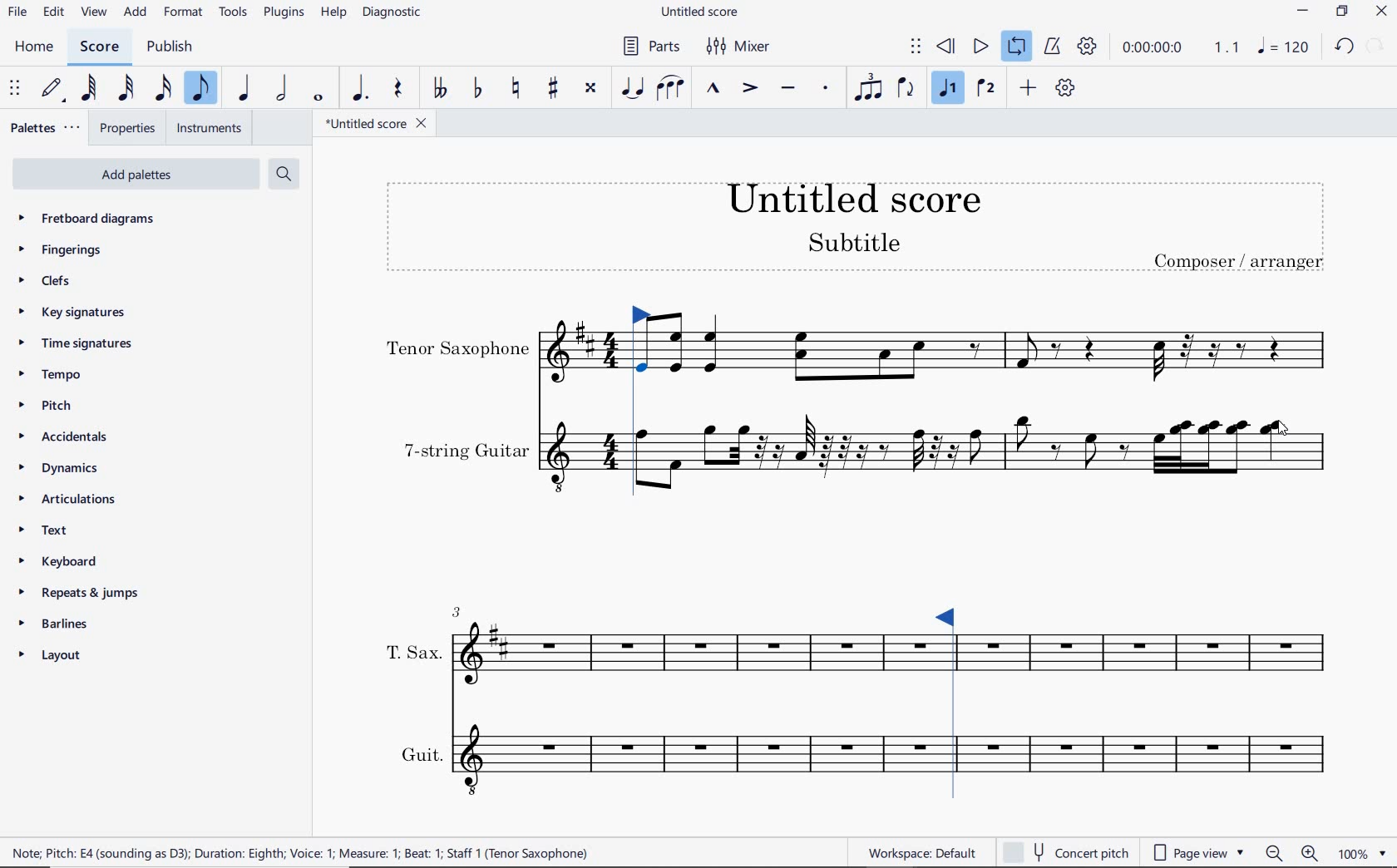  I want to click on TOGGLE NATURAL, so click(516, 88).